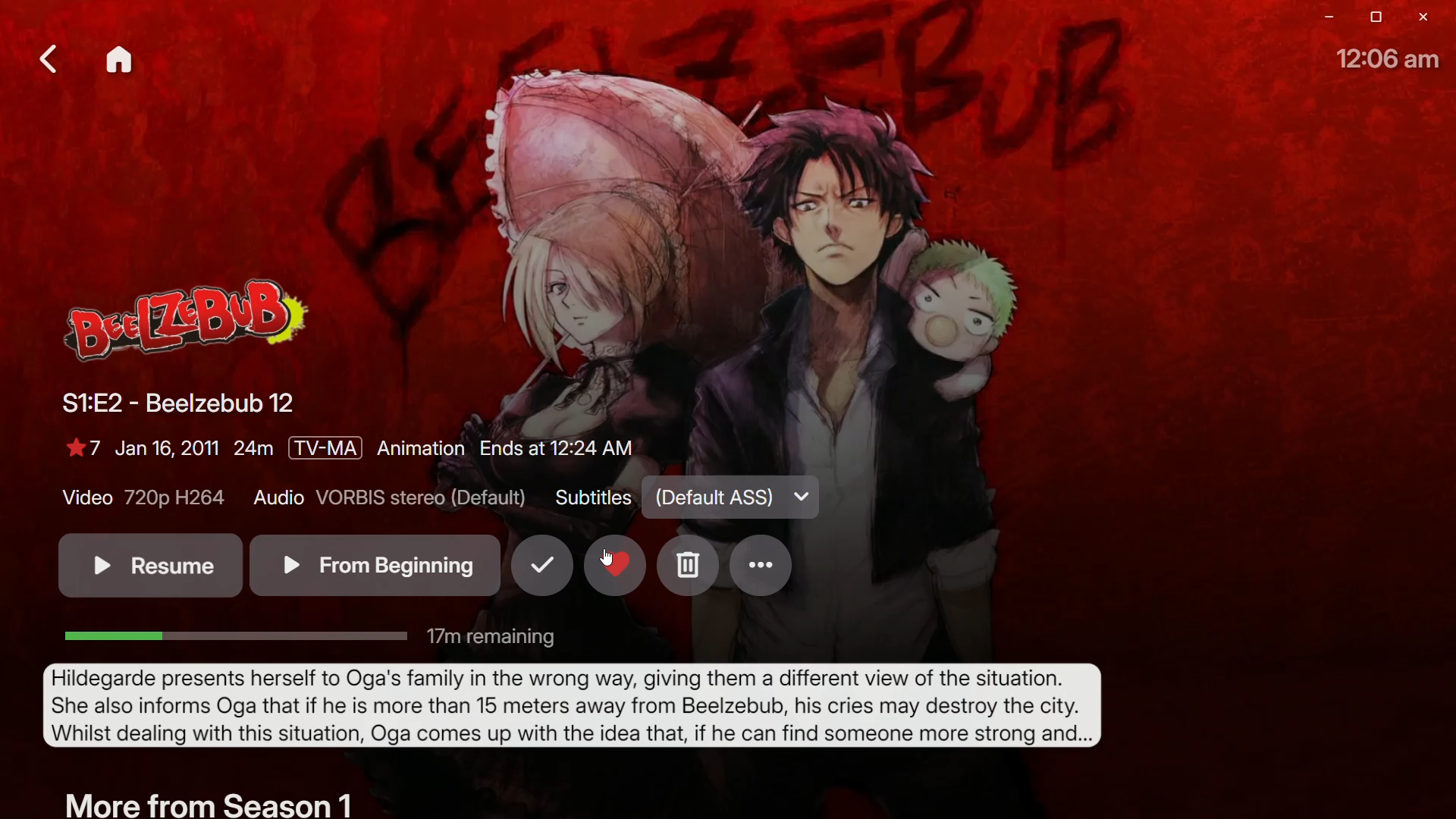 The image size is (1456, 819). Describe the element at coordinates (687, 500) in the screenshot. I see `Subtitles` at that location.